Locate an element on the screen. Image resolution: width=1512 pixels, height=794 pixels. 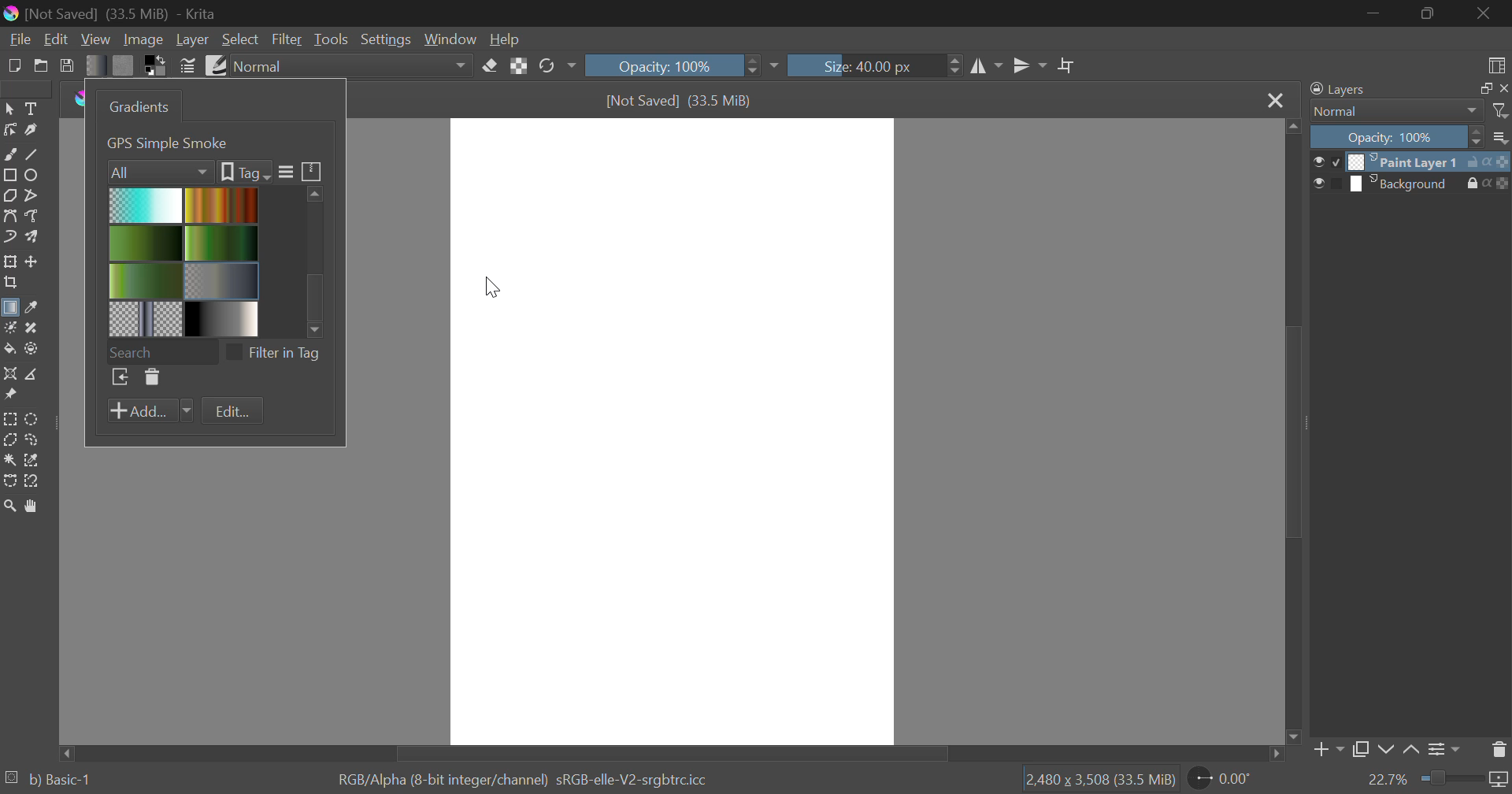
Filter Menu is located at coordinates (284, 173).